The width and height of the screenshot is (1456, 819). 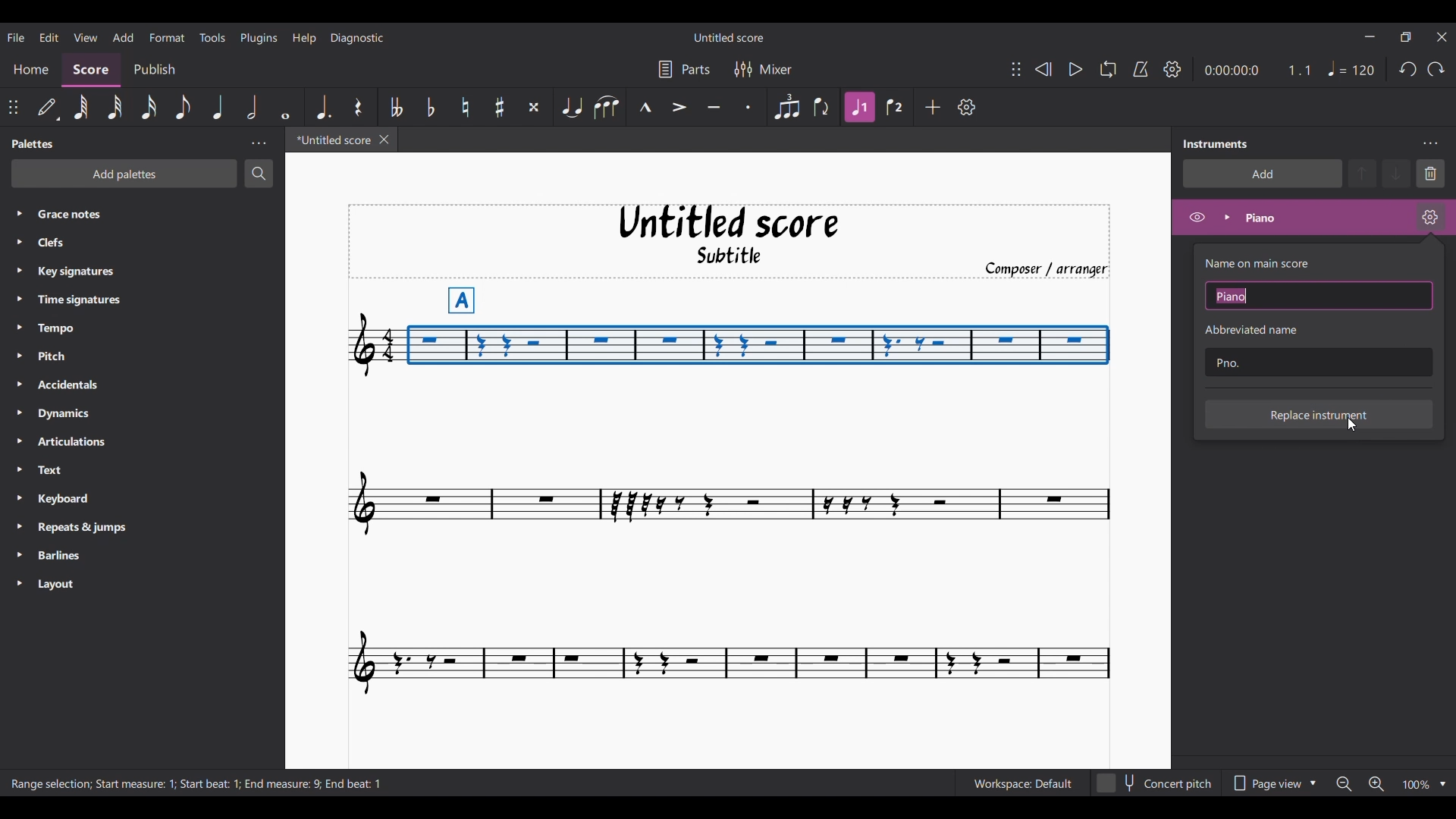 What do you see at coordinates (1022, 783) in the screenshot?
I see `Current workspace settings` at bounding box center [1022, 783].